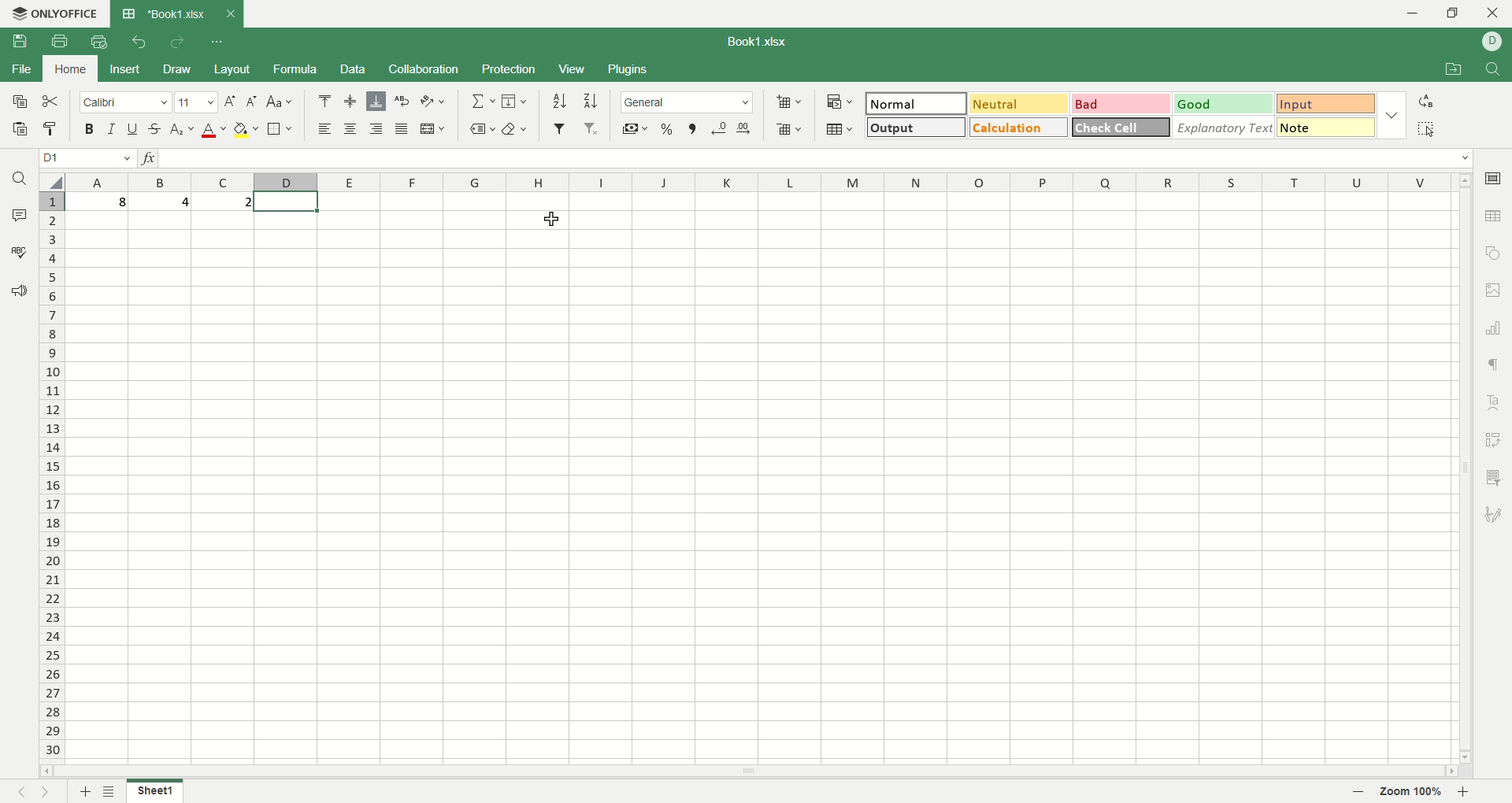 This screenshot has width=1512, height=803. What do you see at coordinates (1430, 128) in the screenshot?
I see `select all` at bounding box center [1430, 128].